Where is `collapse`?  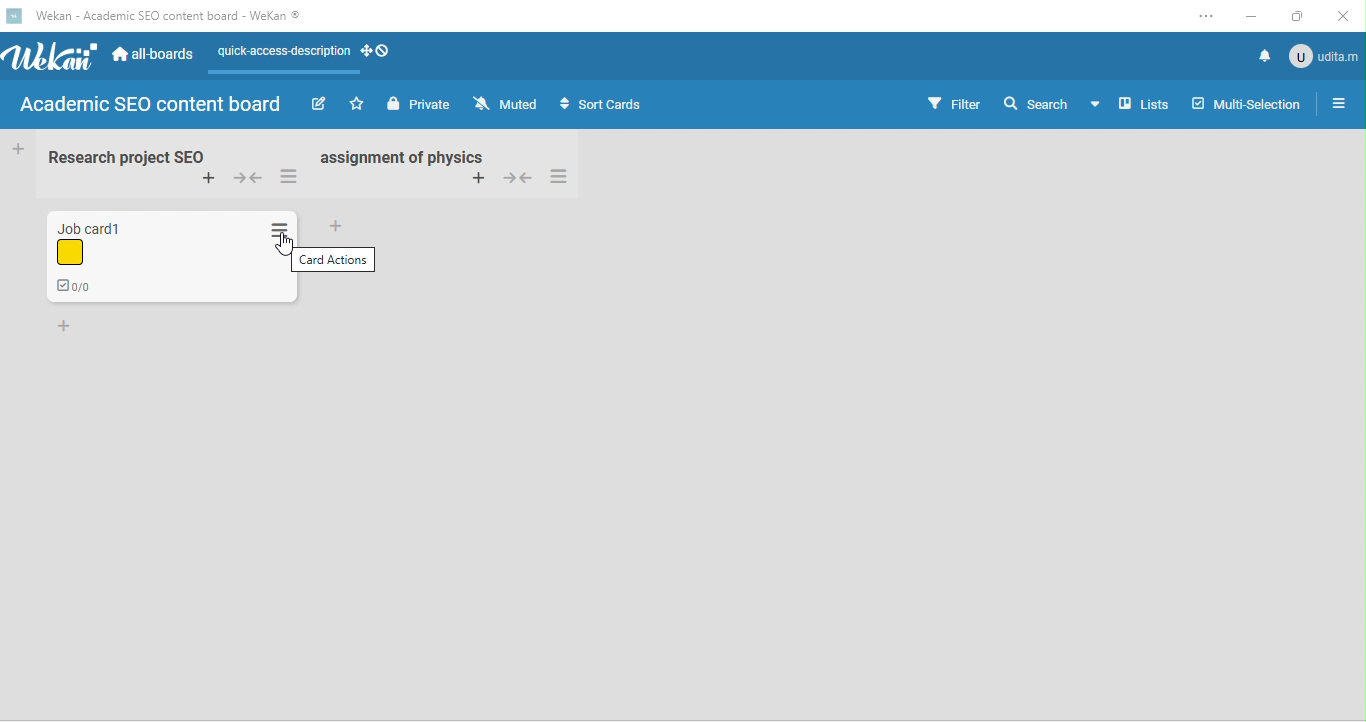
collapse is located at coordinates (522, 179).